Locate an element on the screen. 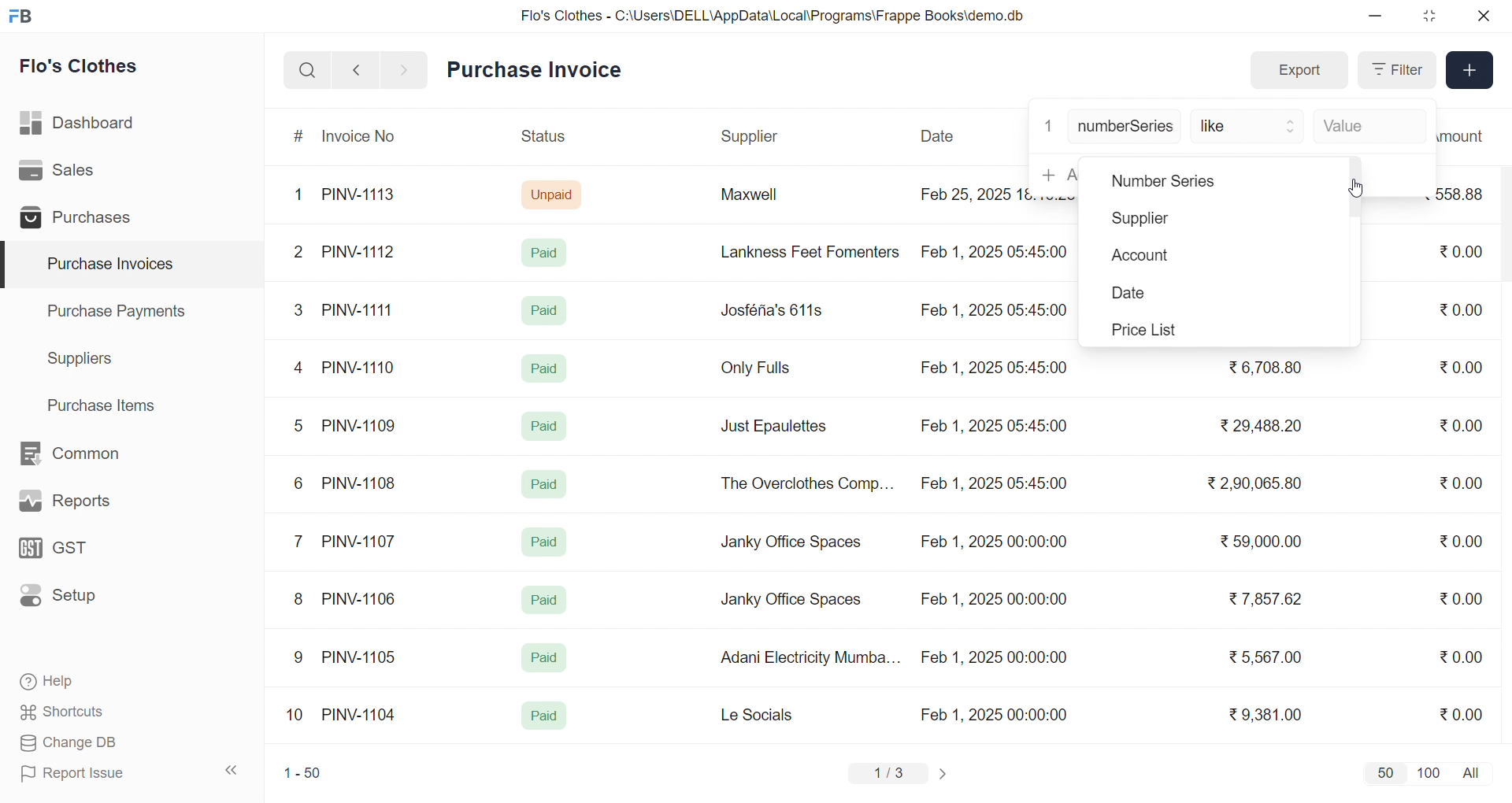  ₹0.00 is located at coordinates (1463, 309).